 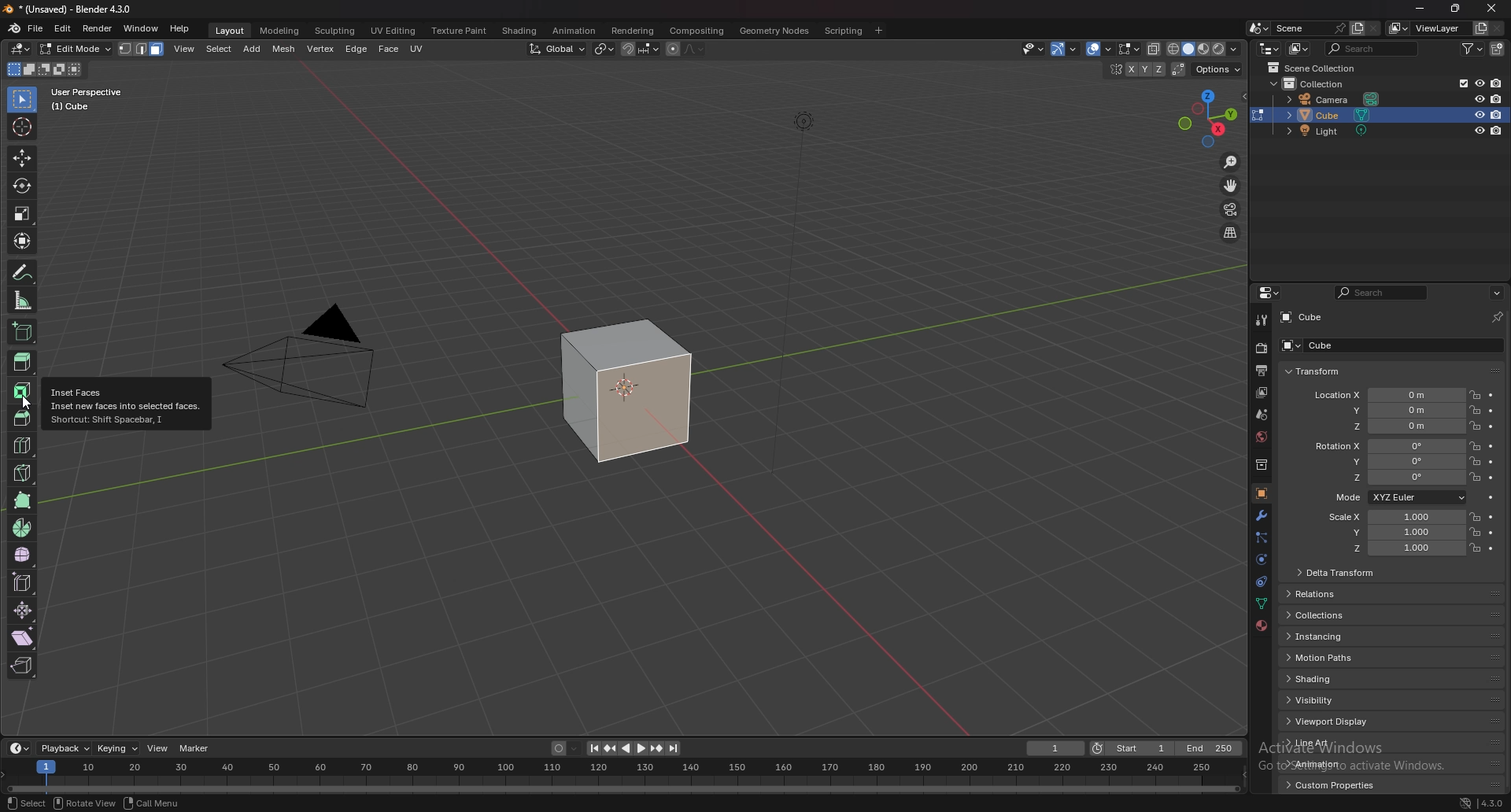 I want to click on inset faces, so click(x=23, y=391).